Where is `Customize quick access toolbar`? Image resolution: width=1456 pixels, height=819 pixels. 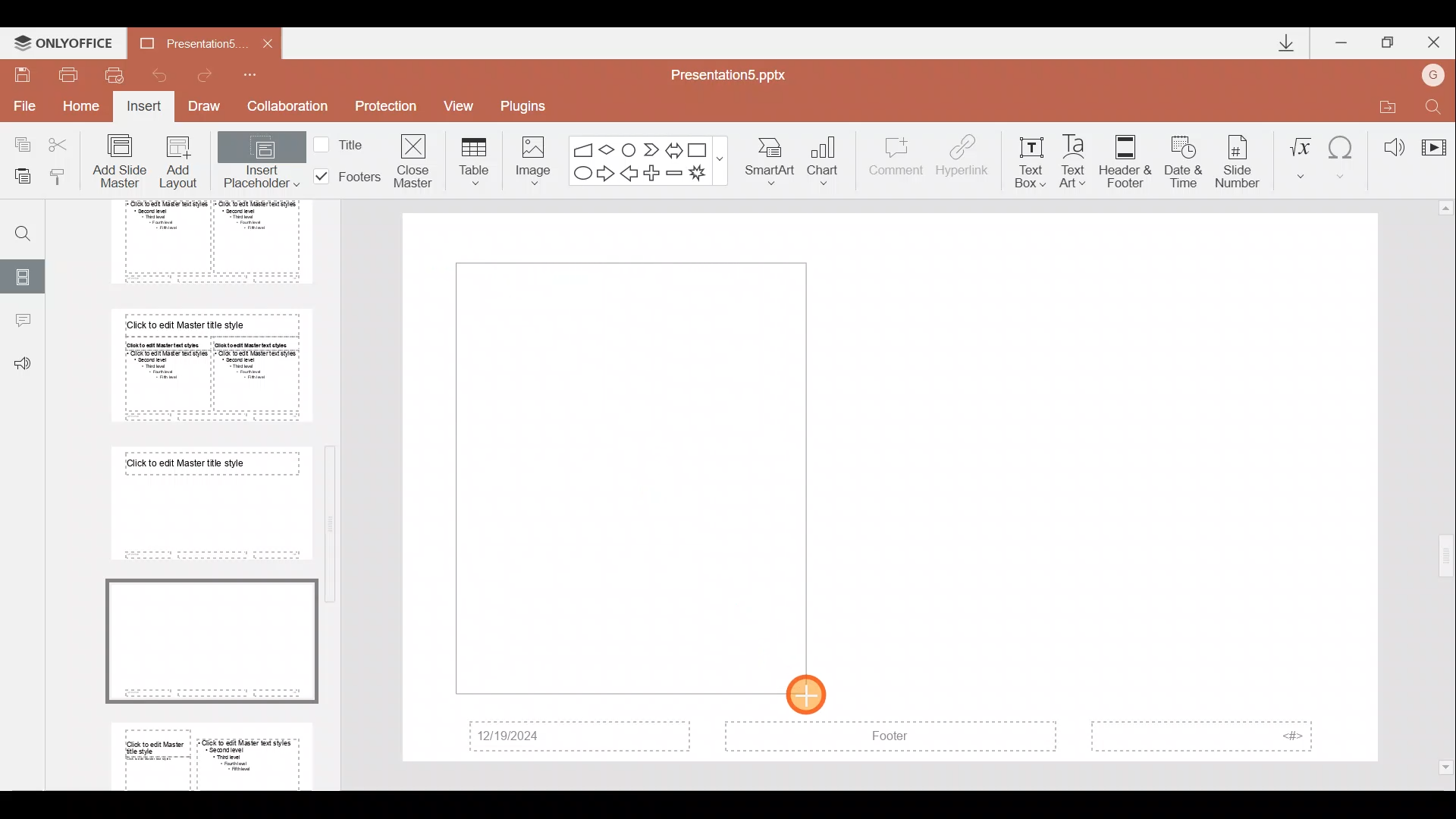
Customize quick access toolbar is located at coordinates (260, 74).